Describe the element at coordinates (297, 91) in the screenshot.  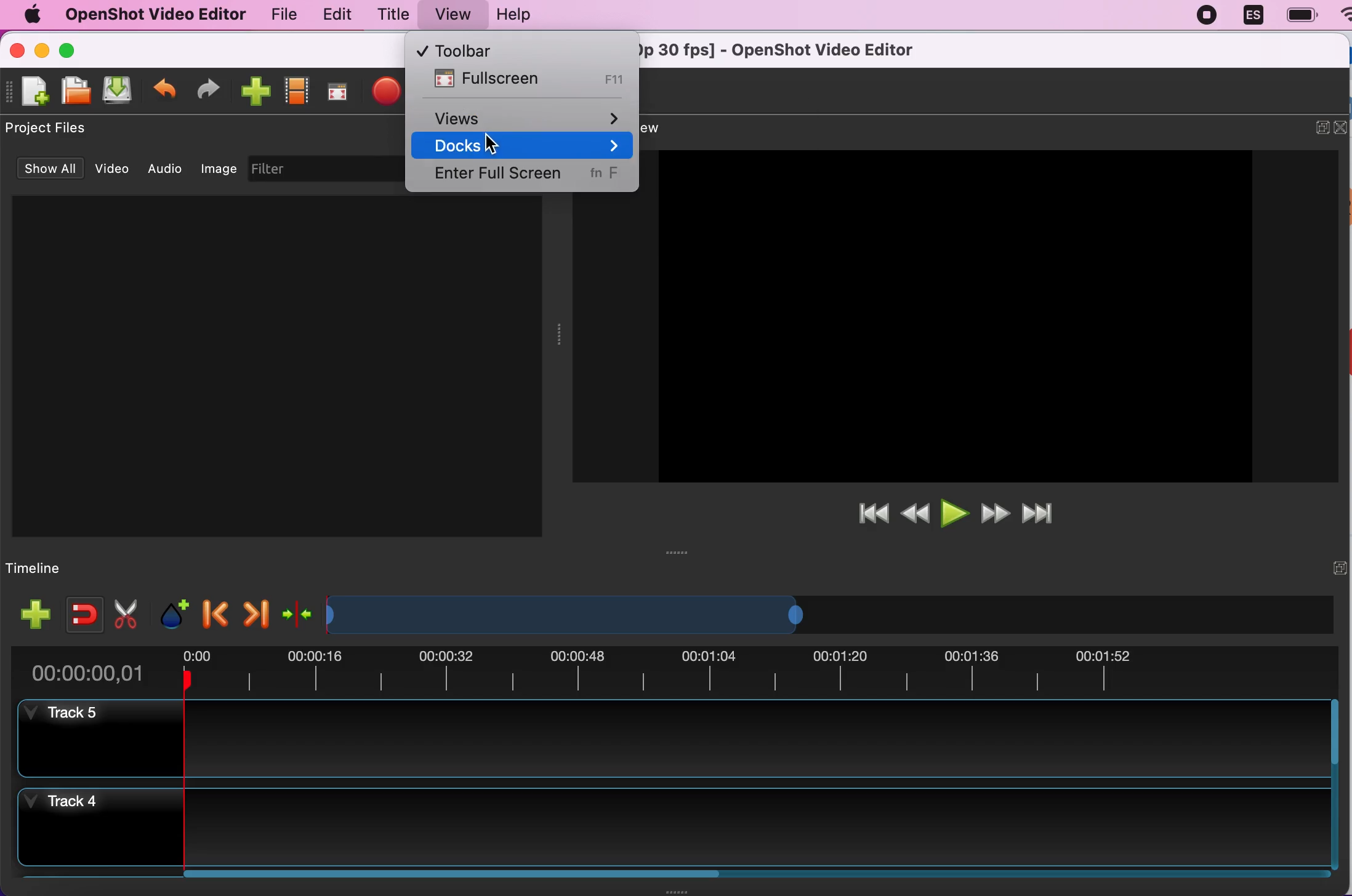
I see `choose profiles` at that location.